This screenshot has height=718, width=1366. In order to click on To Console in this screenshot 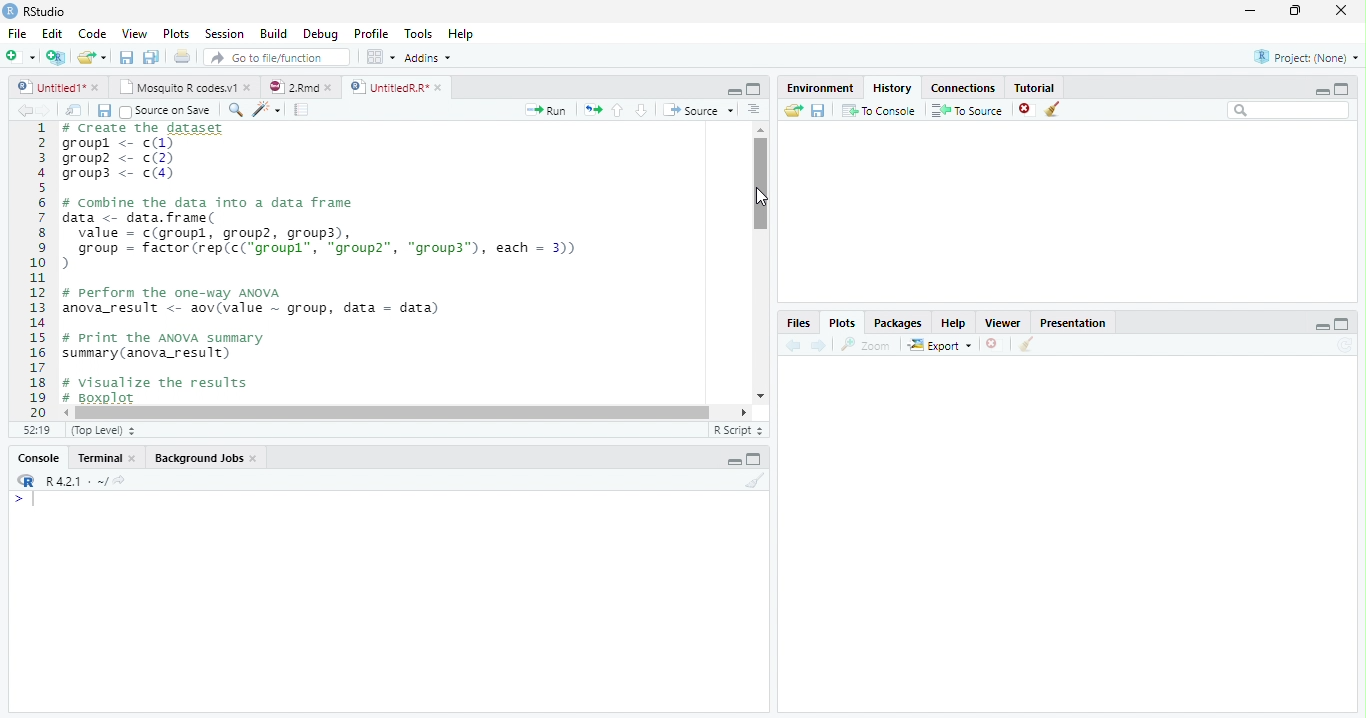, I will do `click(879, 110)`.